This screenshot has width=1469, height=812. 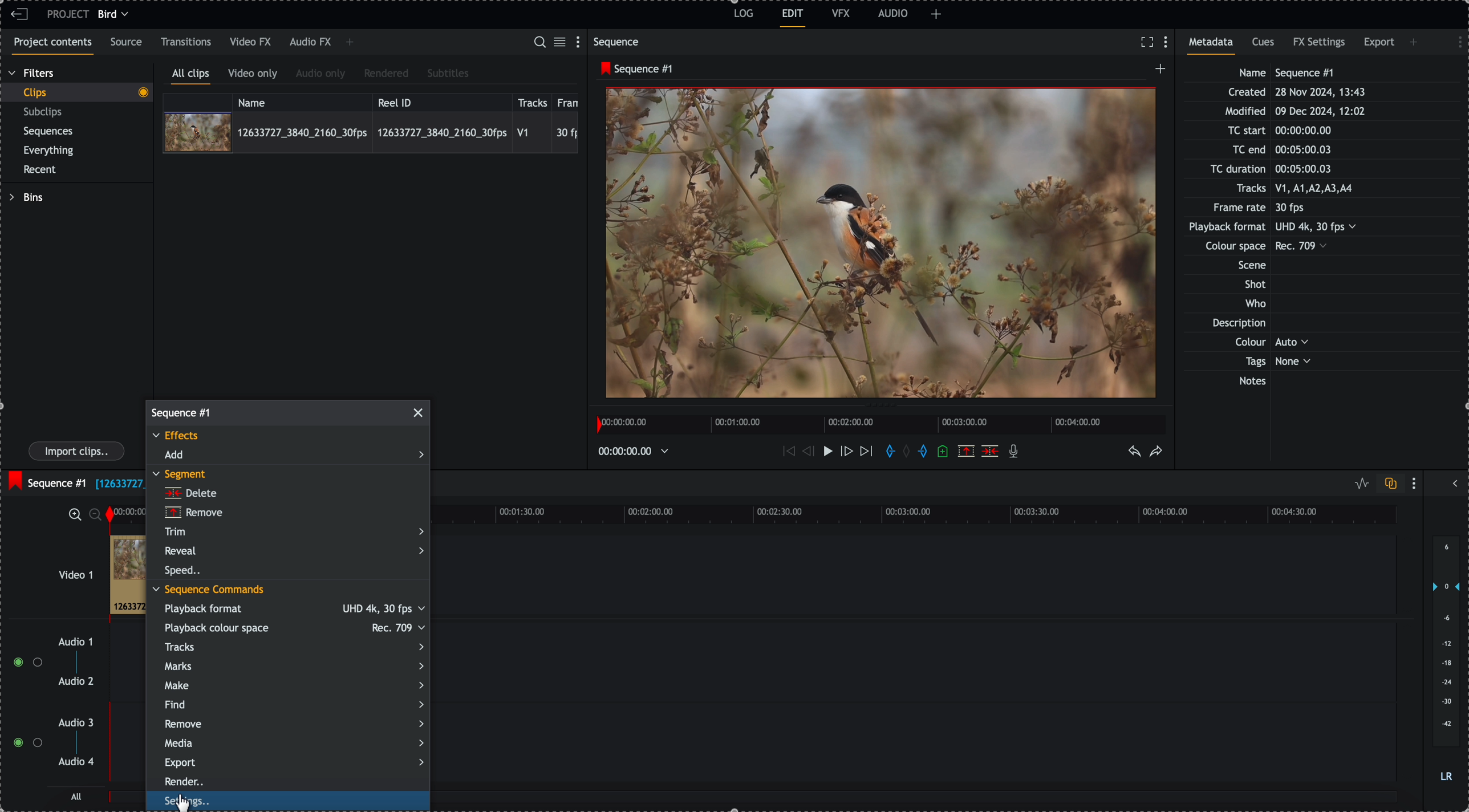 I want to click on sequence #1, so click(x=634, y=69).